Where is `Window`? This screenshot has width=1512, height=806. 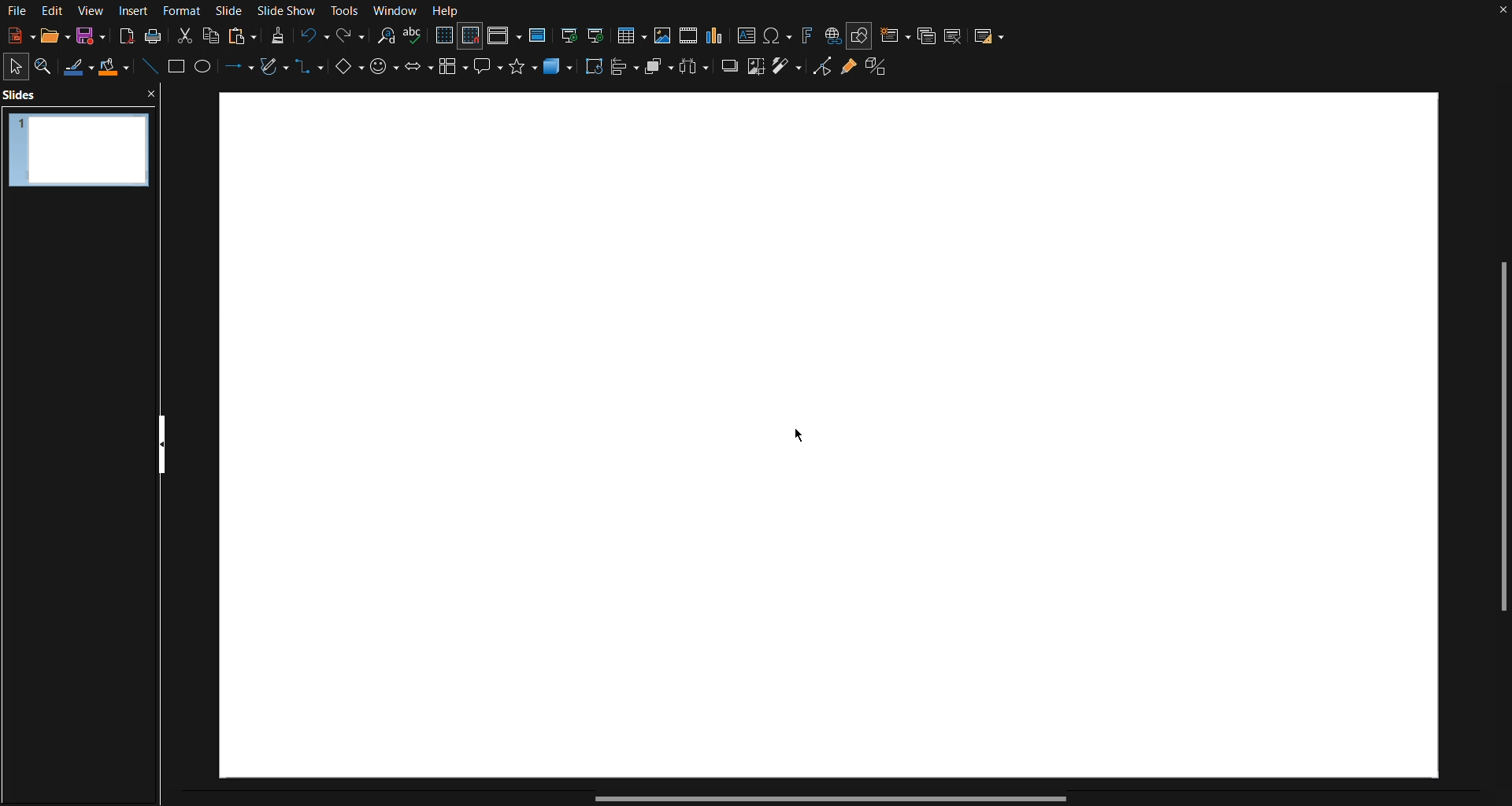
Window is located at coordinates (395, 11).